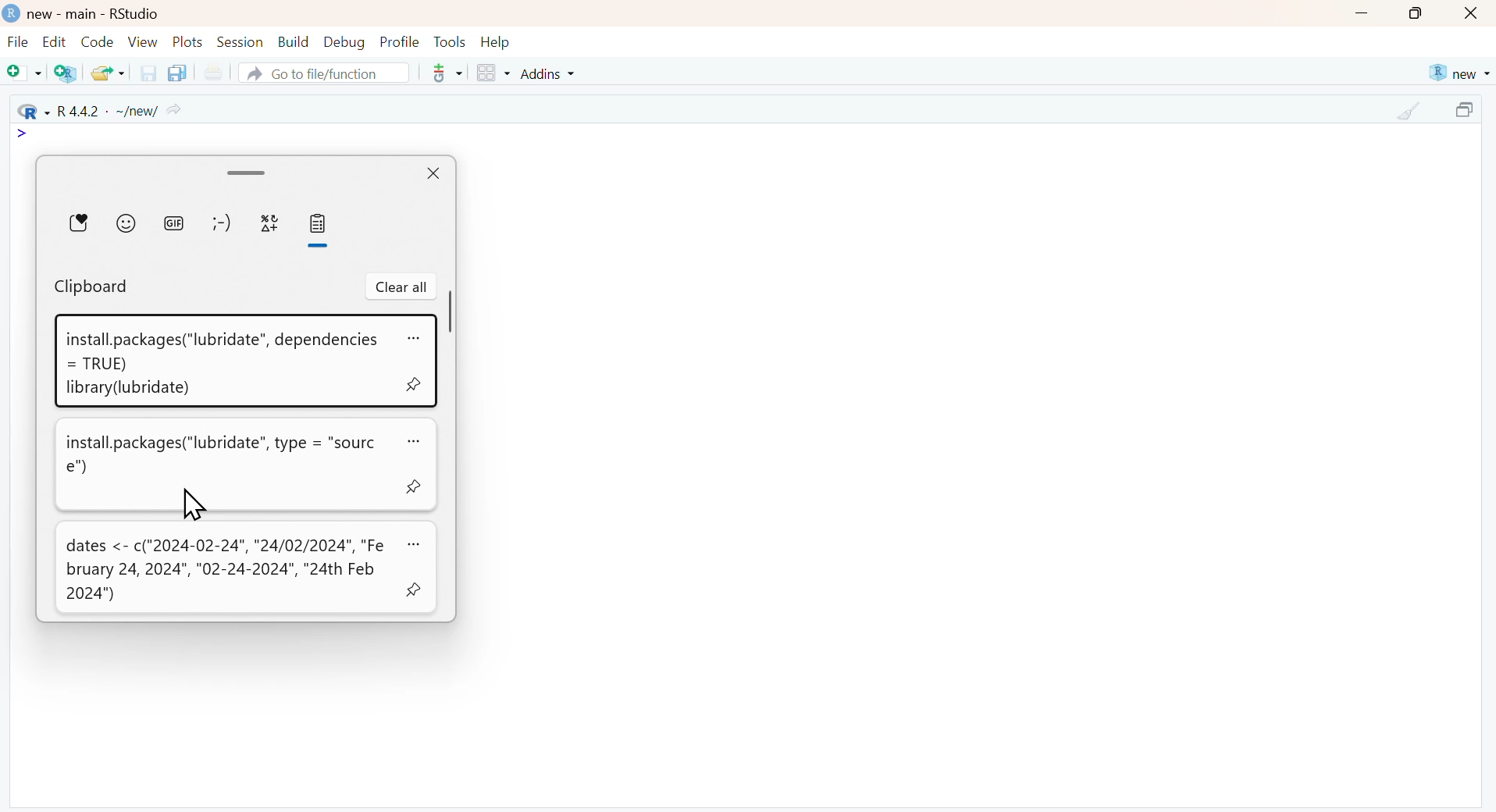  Describe the element at coordinates (414, 591) in the screenshot. I see `pin` at that location.